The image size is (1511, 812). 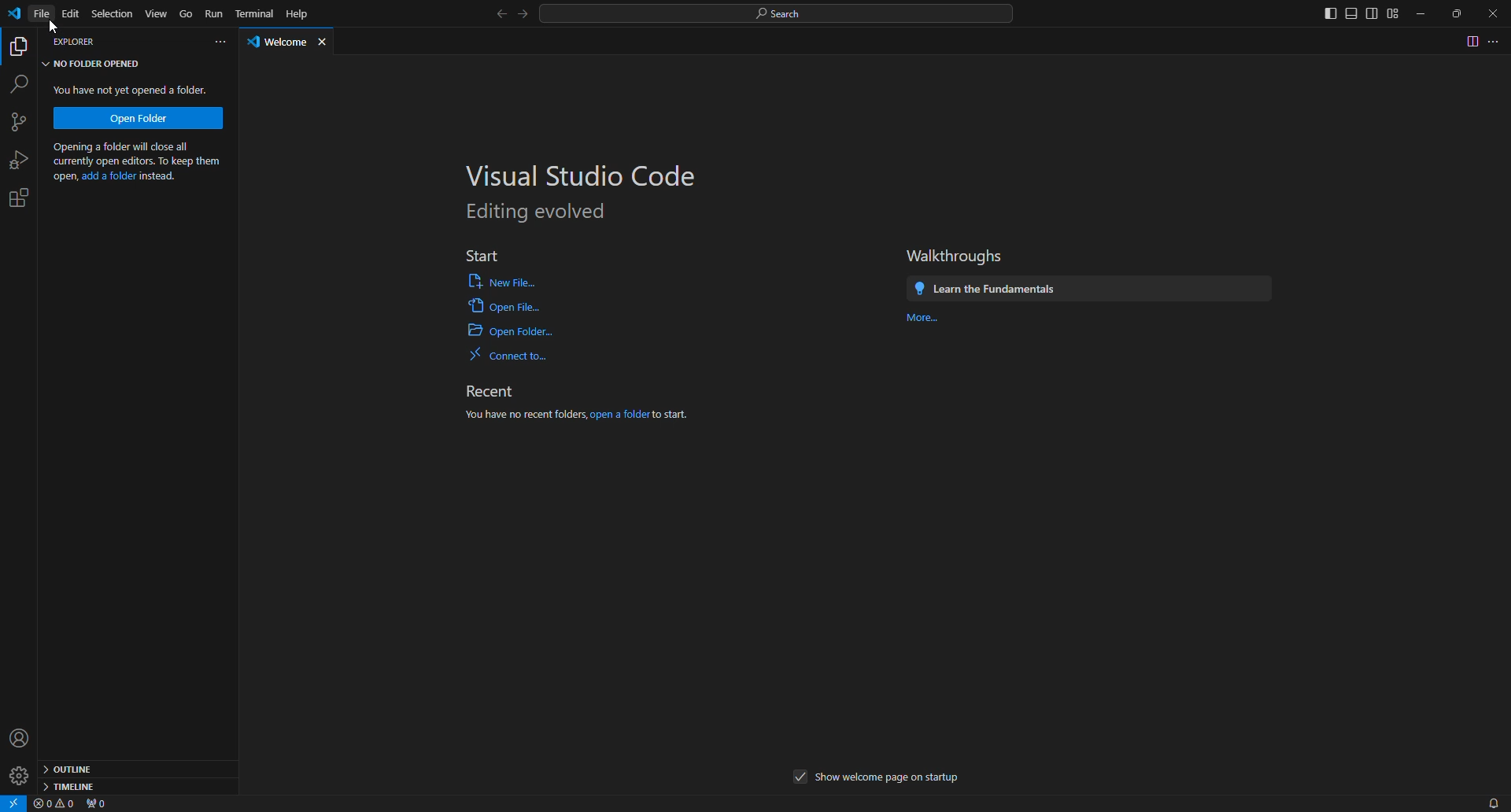 I want to click on split editor right, so click(x=1470, y=41).